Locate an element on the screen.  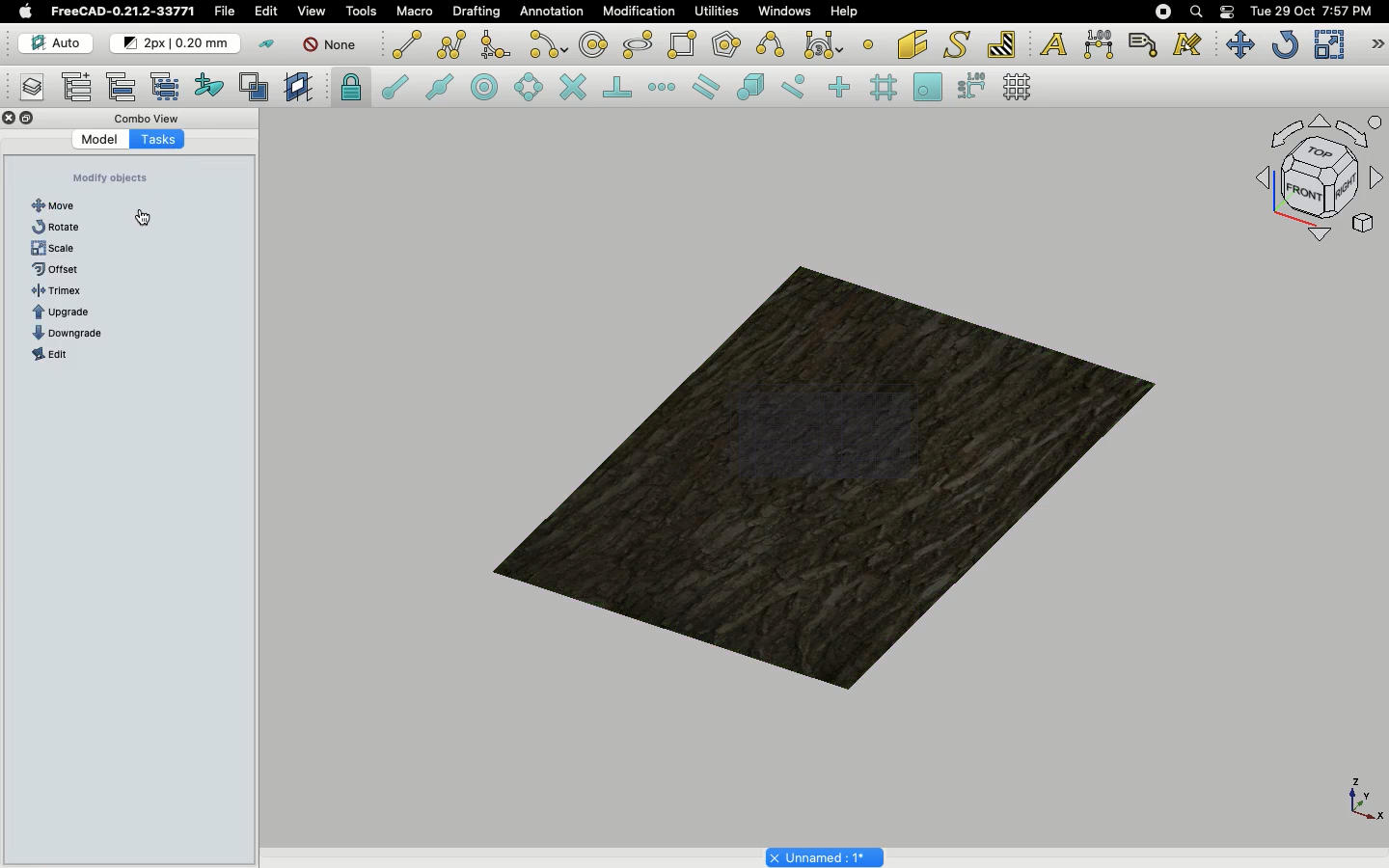
Axis is located at coordinates (1361, 798).